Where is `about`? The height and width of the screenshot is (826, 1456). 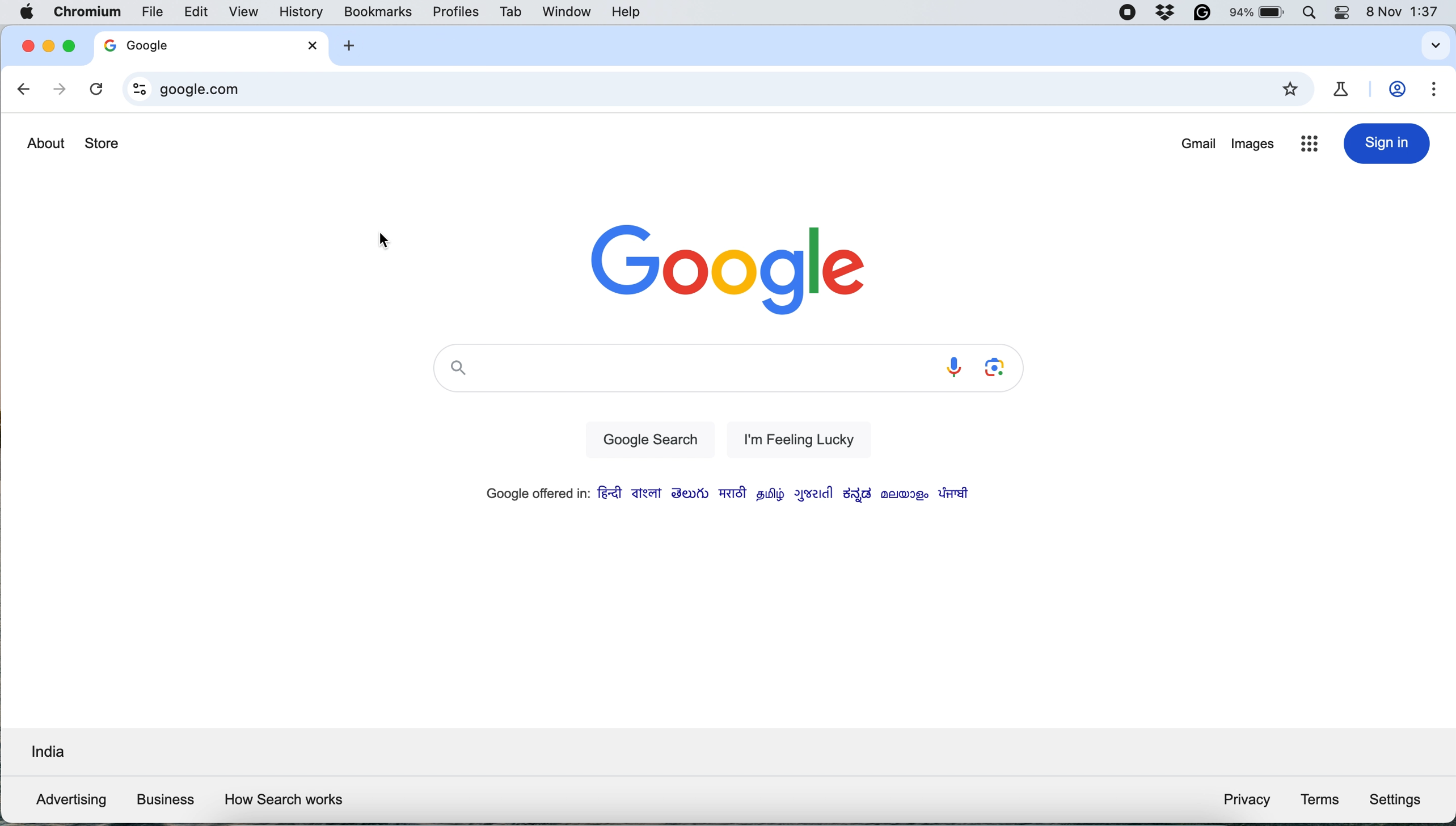 about is located at coordinates (45, 143).